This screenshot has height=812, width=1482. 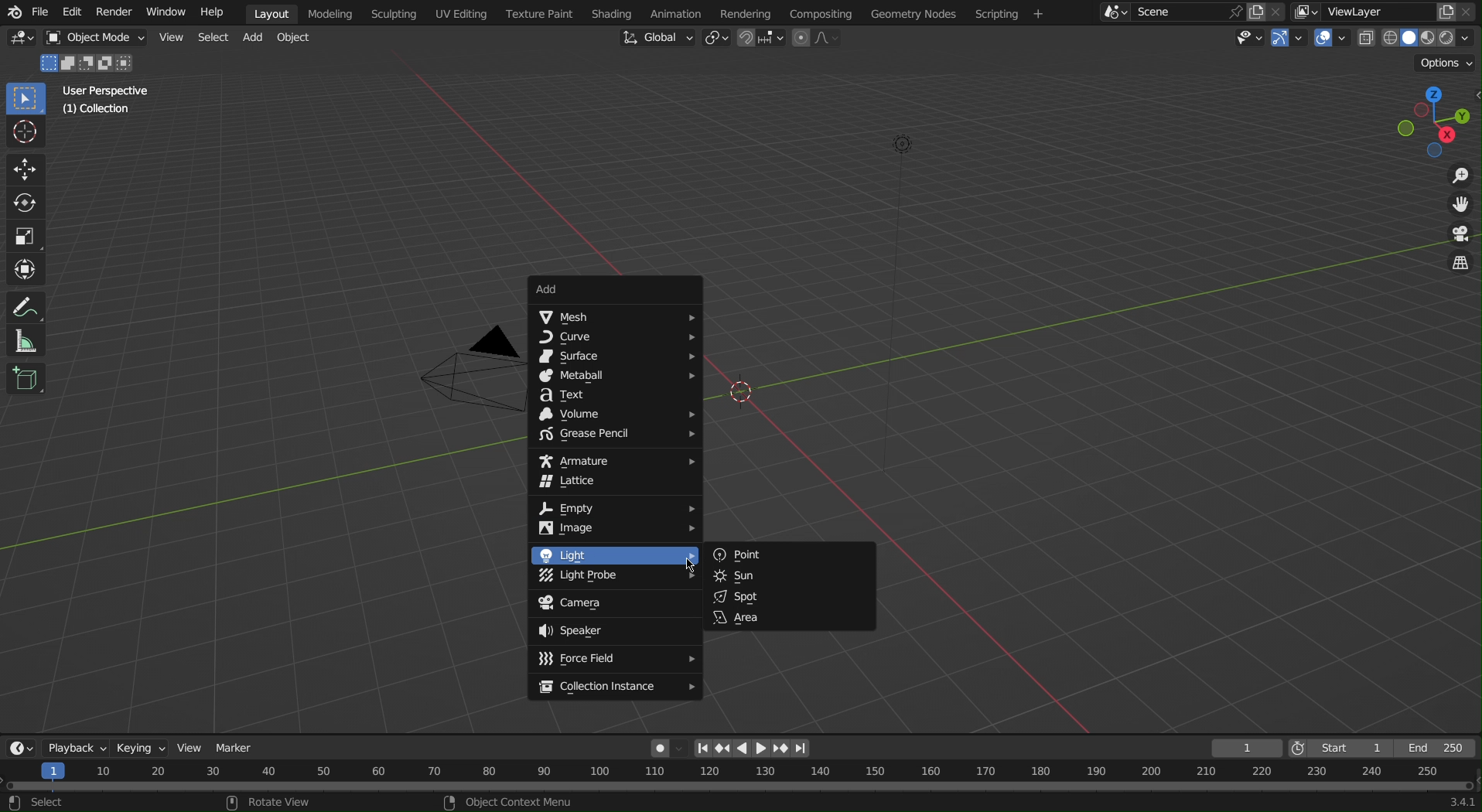 I want to click on Scripting, so click(x=1009, y=13).